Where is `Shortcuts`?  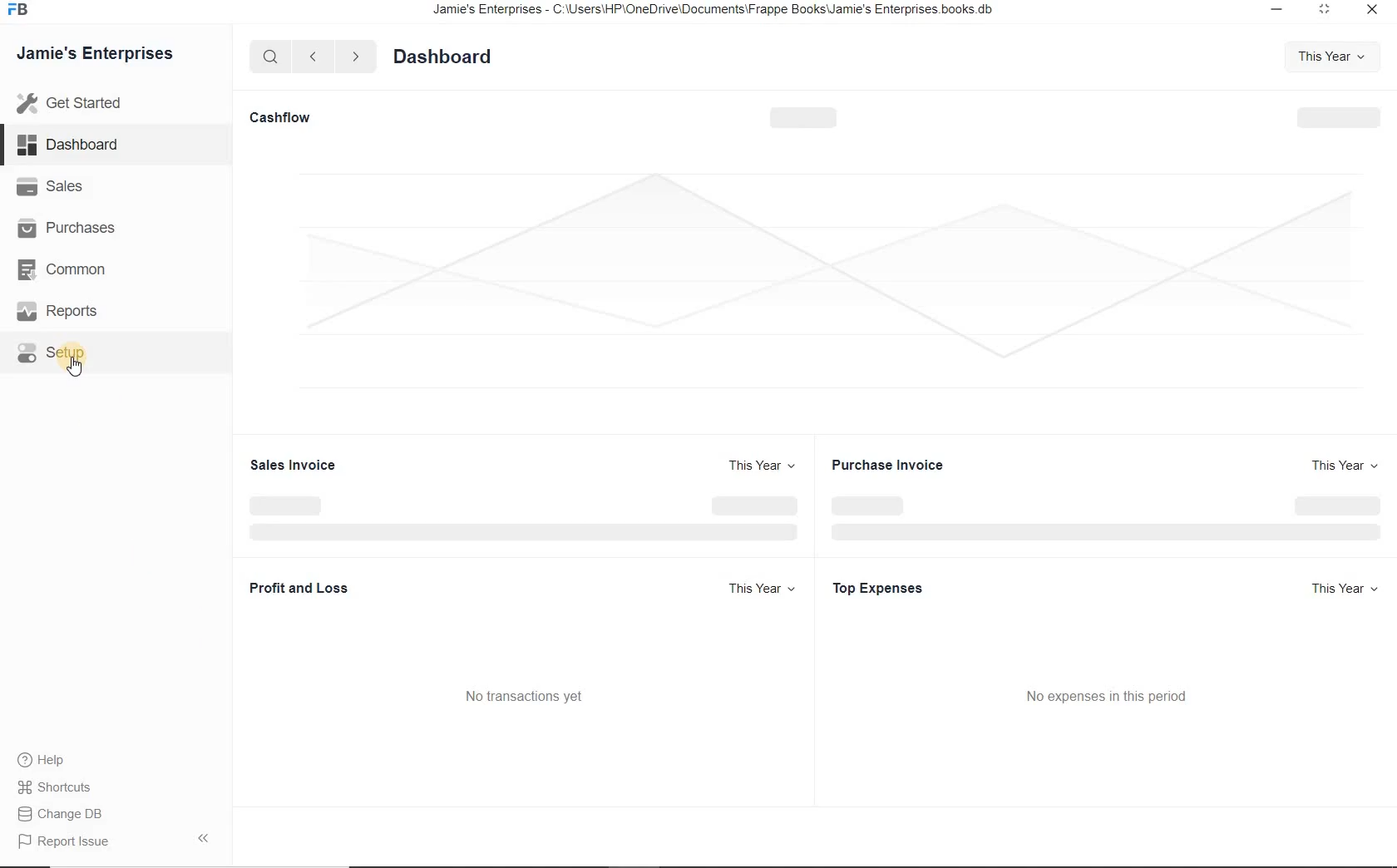
Shortcuts is located at coordinates (57, 787).